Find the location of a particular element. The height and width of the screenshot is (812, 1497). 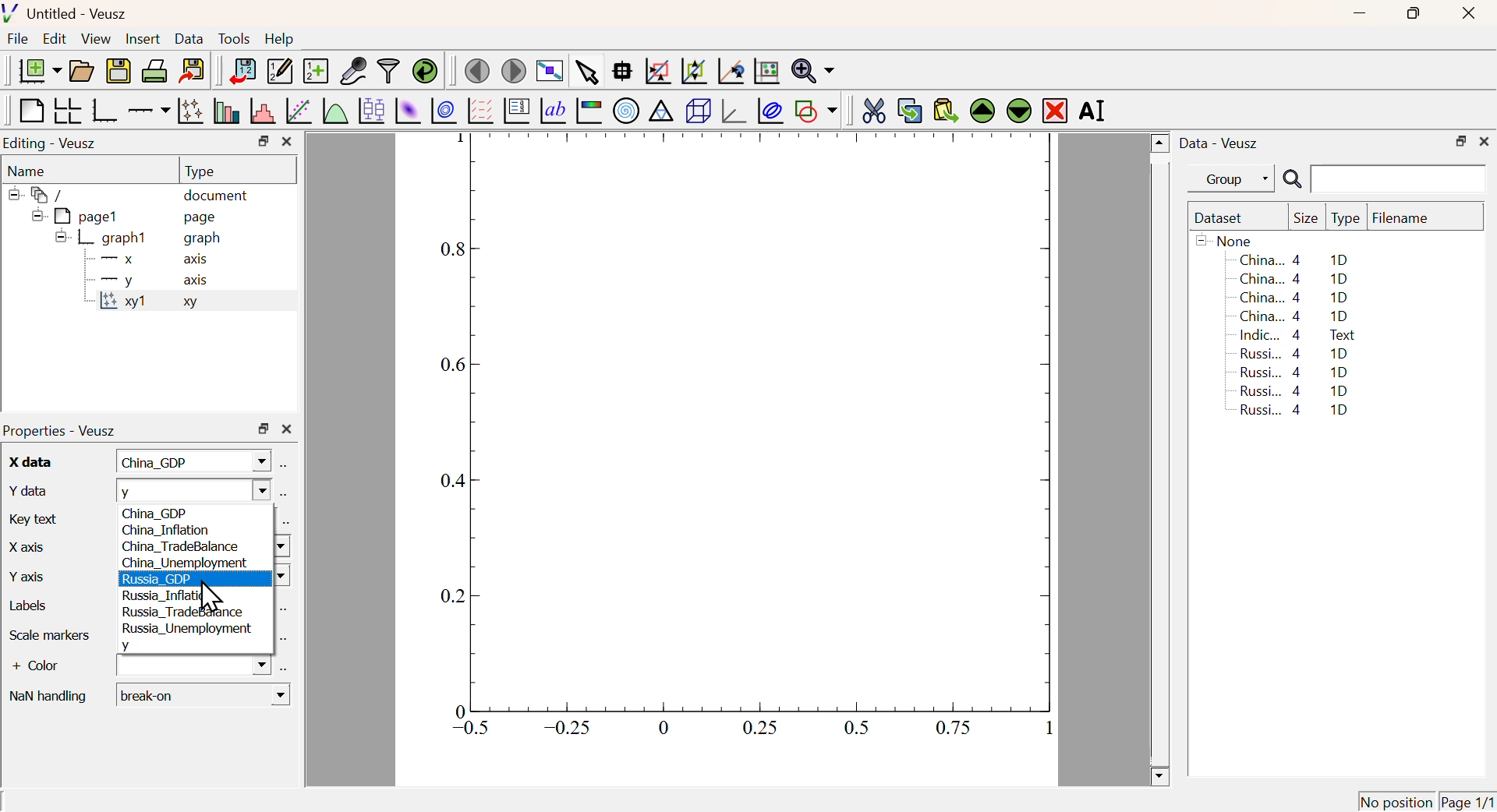

Search is located at coordinates (1292, 180).